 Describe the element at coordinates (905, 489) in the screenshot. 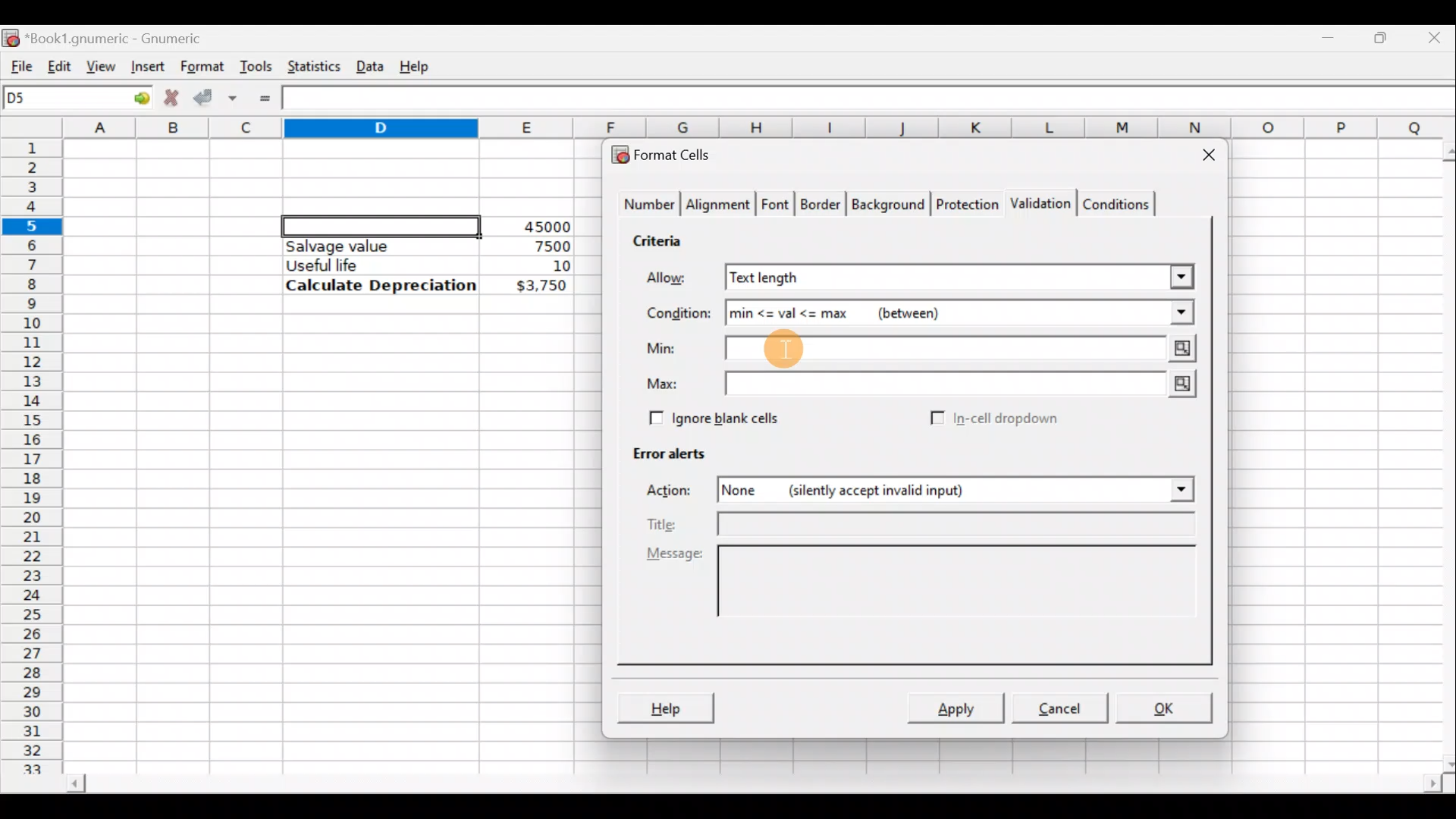

I see `None (silently accept invalid input)` at that location.